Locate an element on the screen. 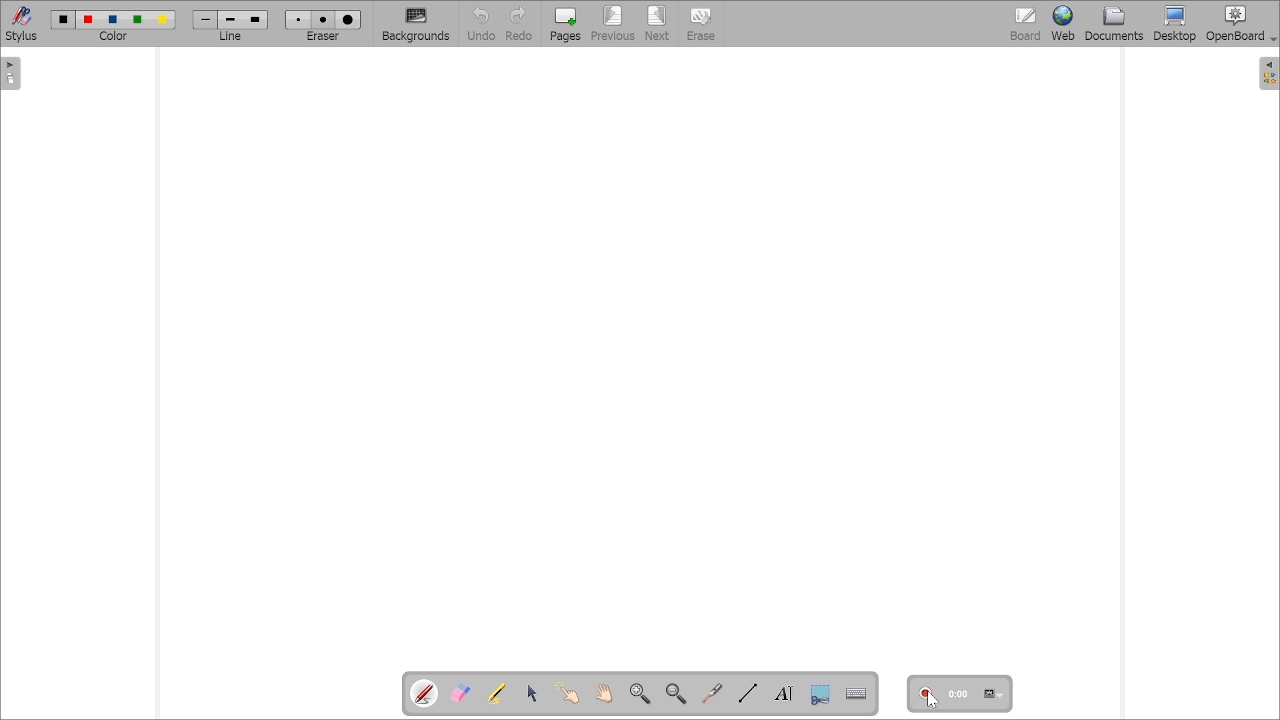 The height and width of the screenshot is (720, 1280). bOARD is located at coordinates (1025, 24).